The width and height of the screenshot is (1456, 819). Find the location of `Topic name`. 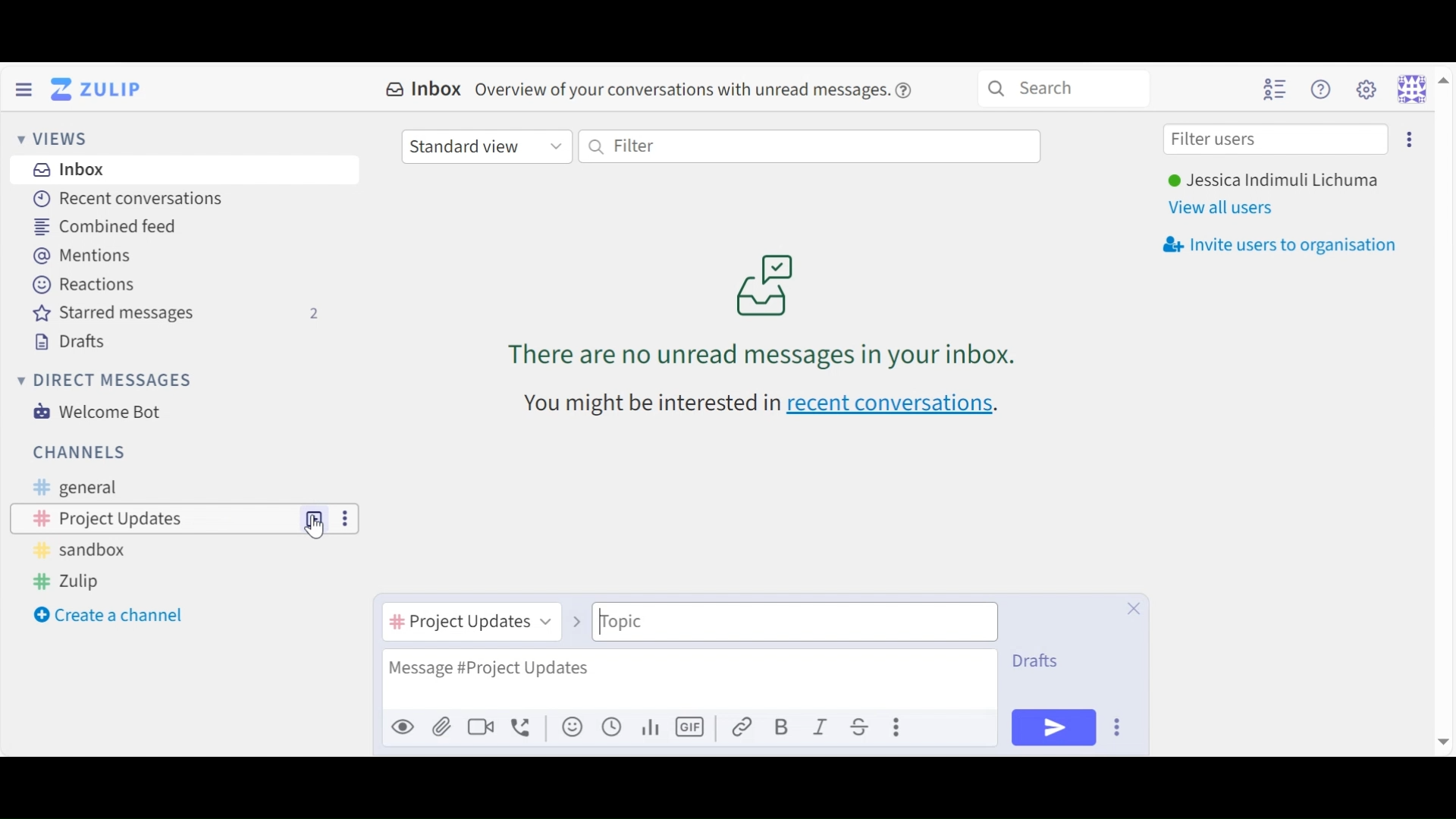

Topic name is located at coordinates (795, 622).